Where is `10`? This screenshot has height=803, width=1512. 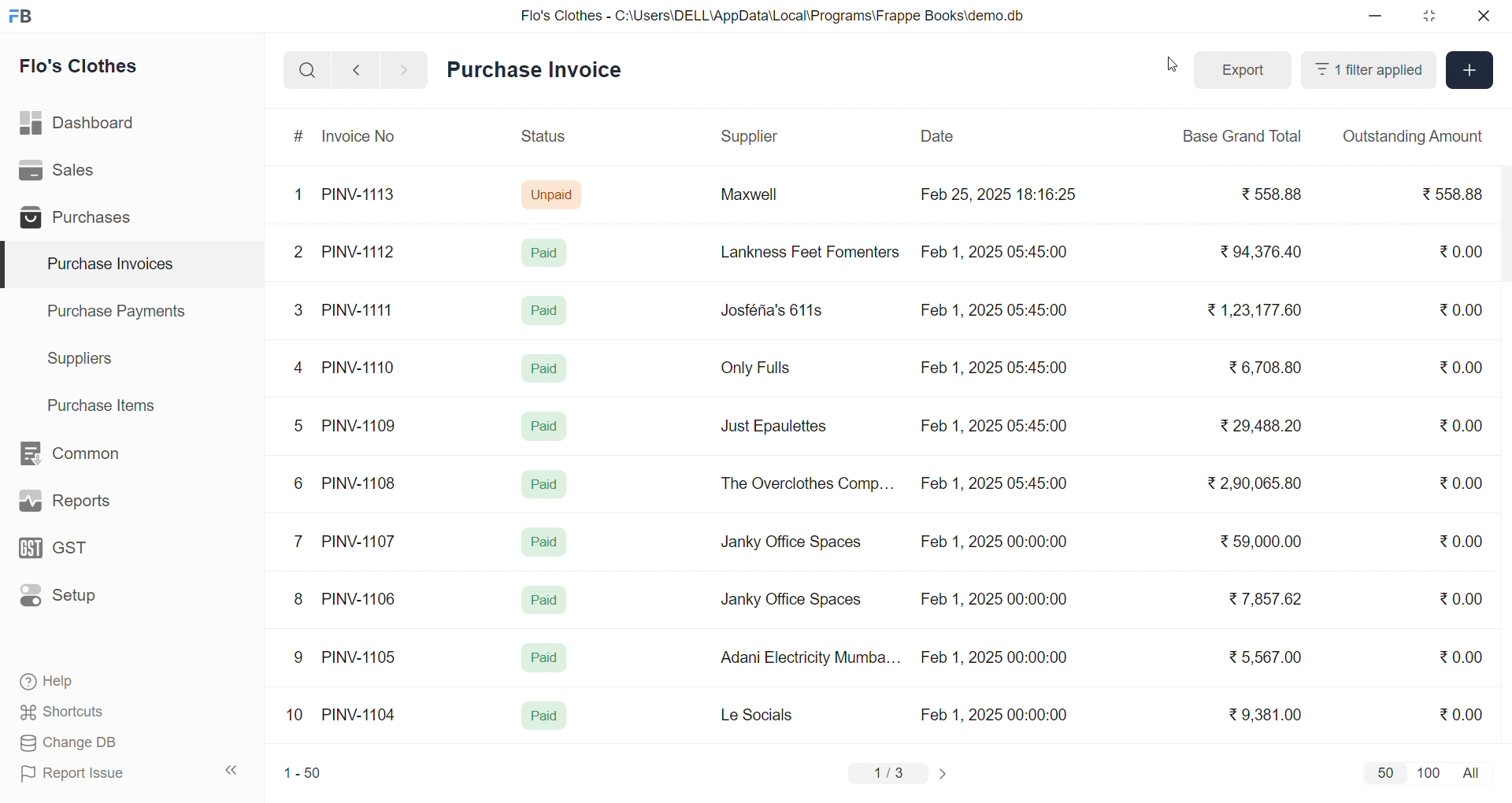
10 is located at coordinates (298, 716).